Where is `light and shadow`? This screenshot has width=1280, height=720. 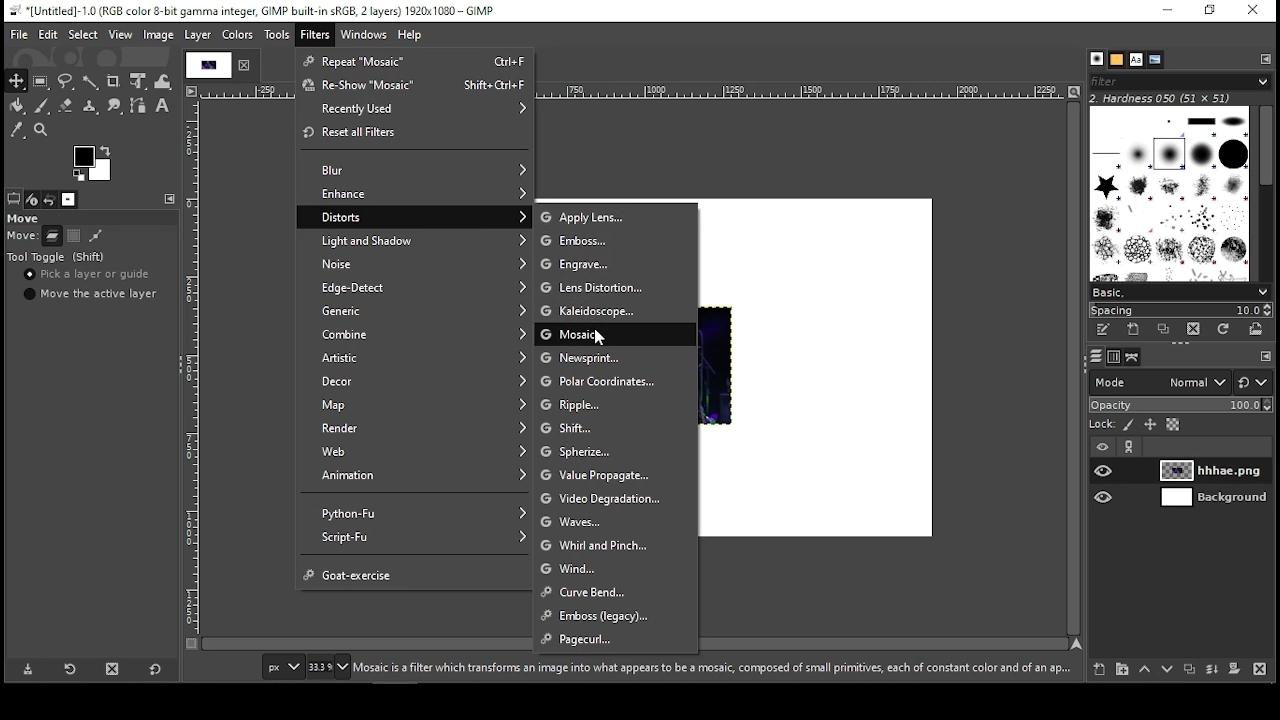 light and shadow is located at coordinates (416, 240).